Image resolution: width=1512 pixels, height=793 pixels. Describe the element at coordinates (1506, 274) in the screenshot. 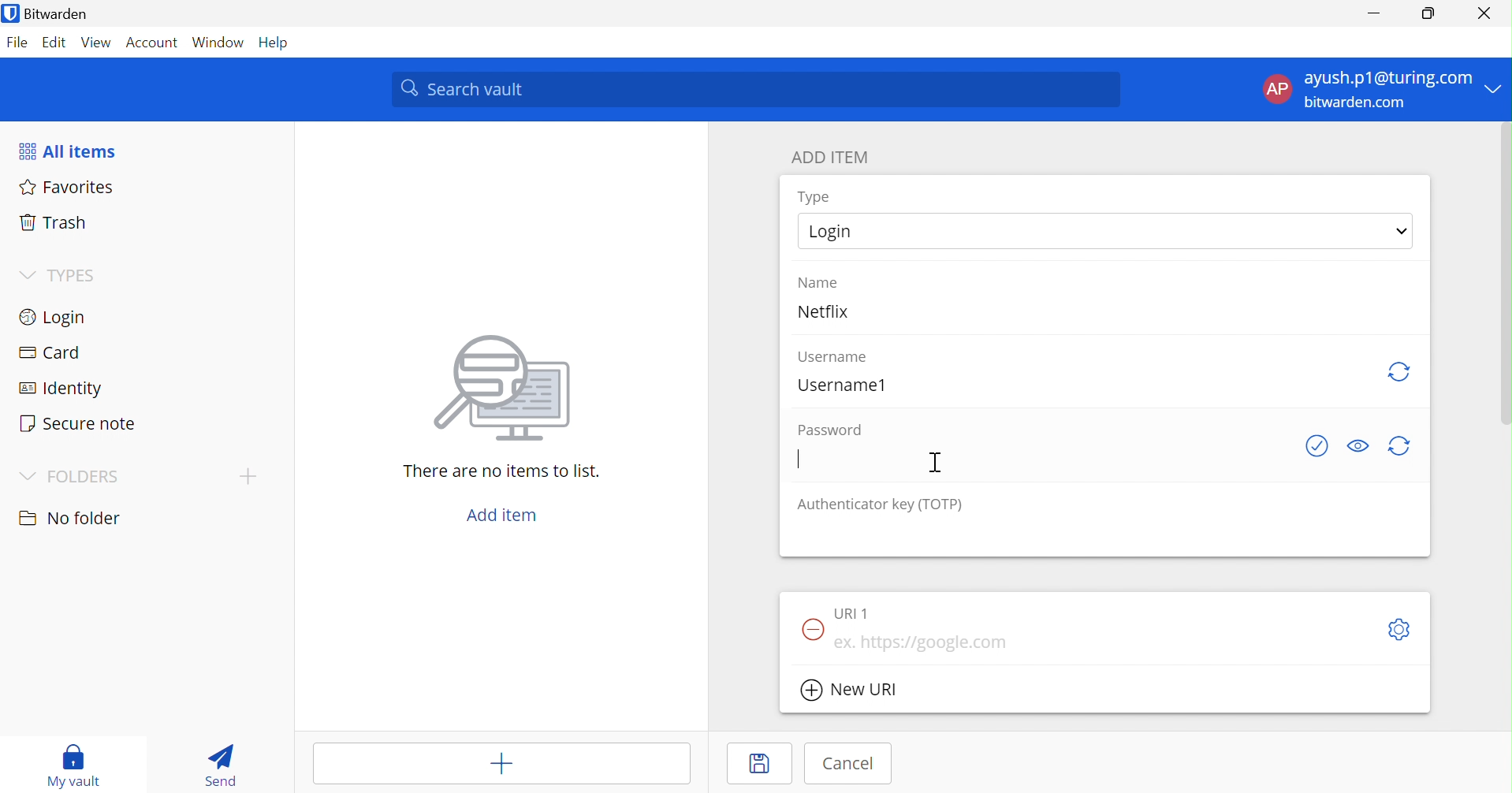

I see `scrollbar` at that location.